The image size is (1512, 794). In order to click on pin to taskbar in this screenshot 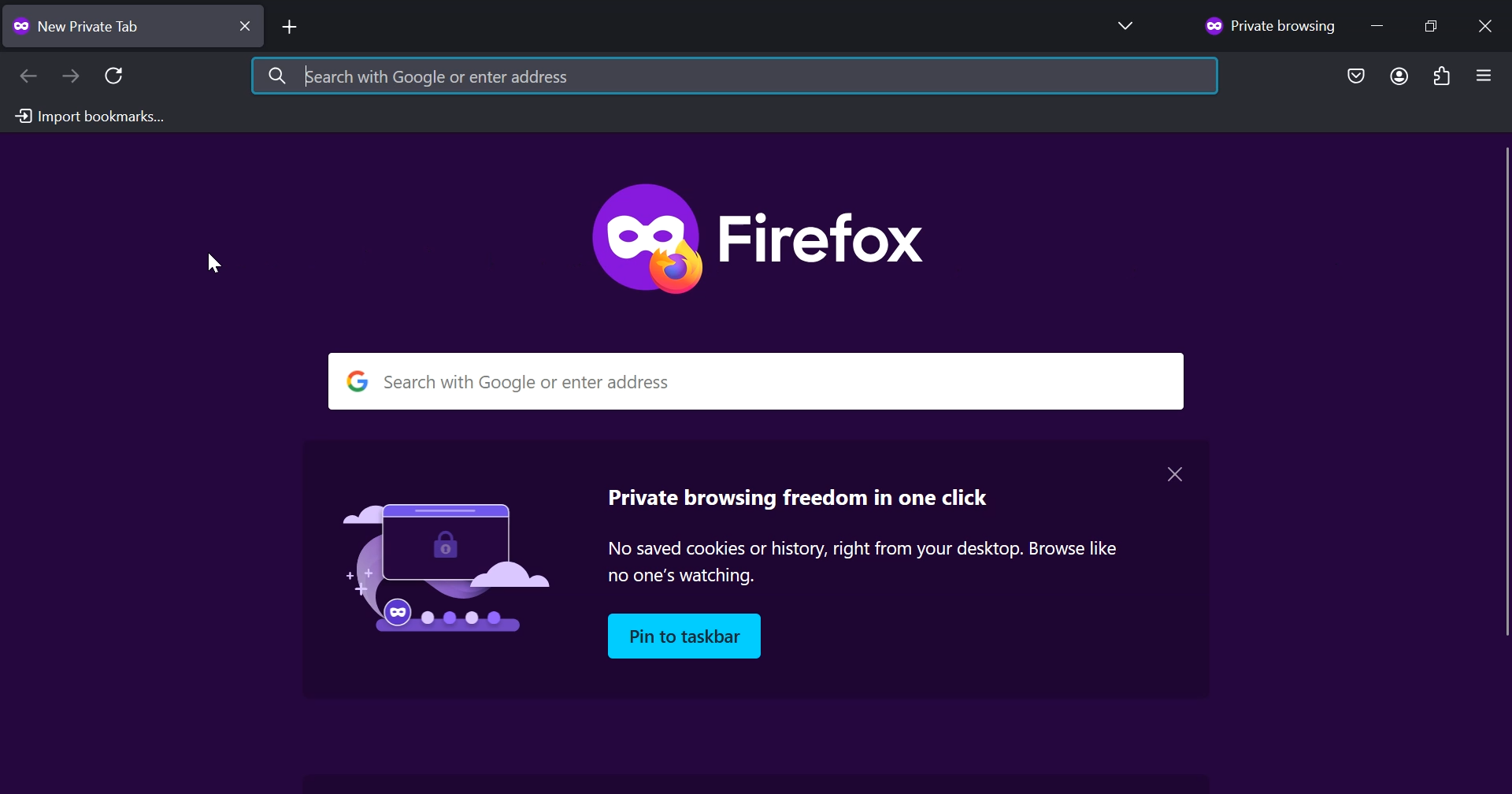, I will do `click(684, 636)`.